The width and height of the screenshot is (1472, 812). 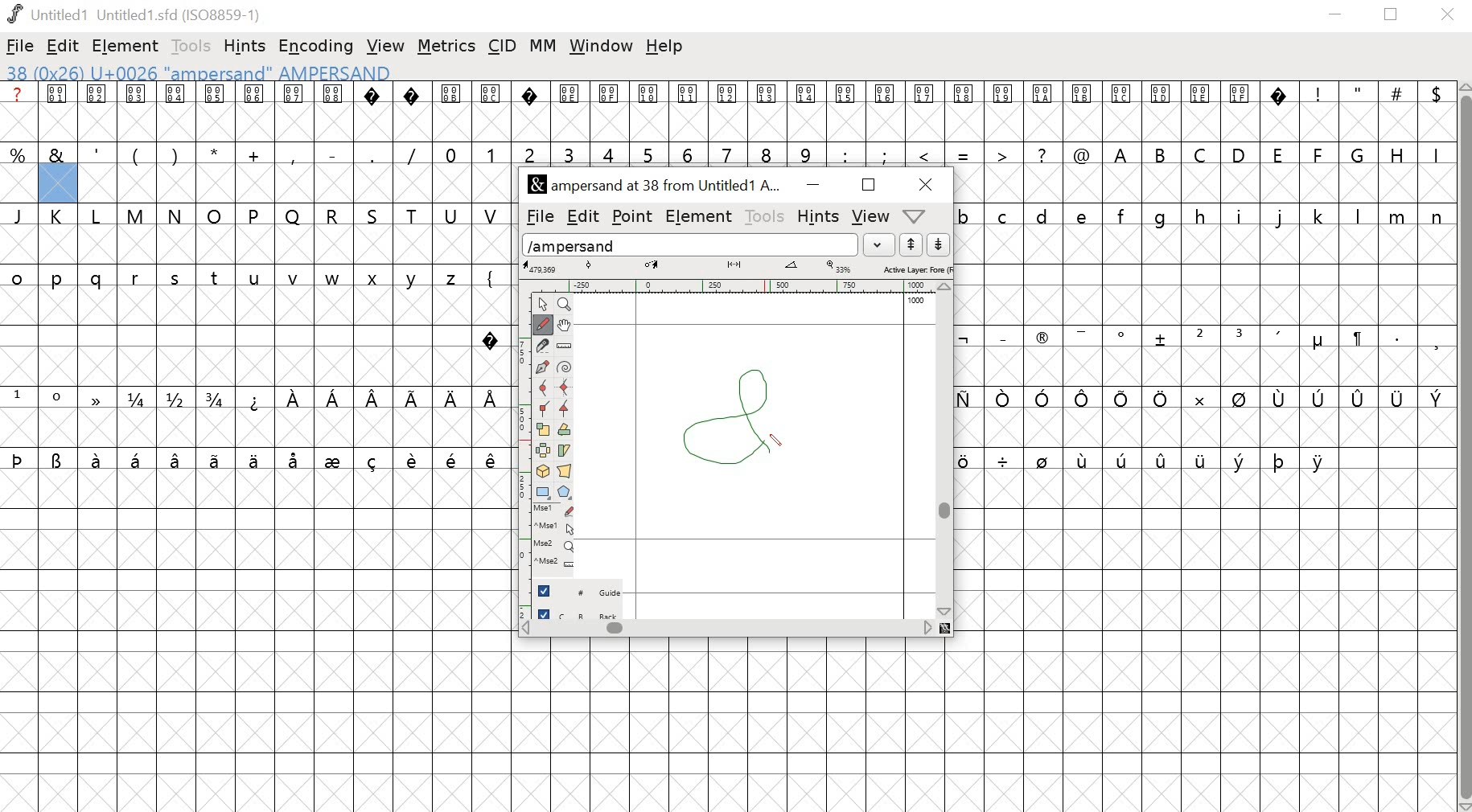 What do you see at coordinates (516, 452) in the screenshot?
I see `vertical ruler` at bounding box center [516, 452].